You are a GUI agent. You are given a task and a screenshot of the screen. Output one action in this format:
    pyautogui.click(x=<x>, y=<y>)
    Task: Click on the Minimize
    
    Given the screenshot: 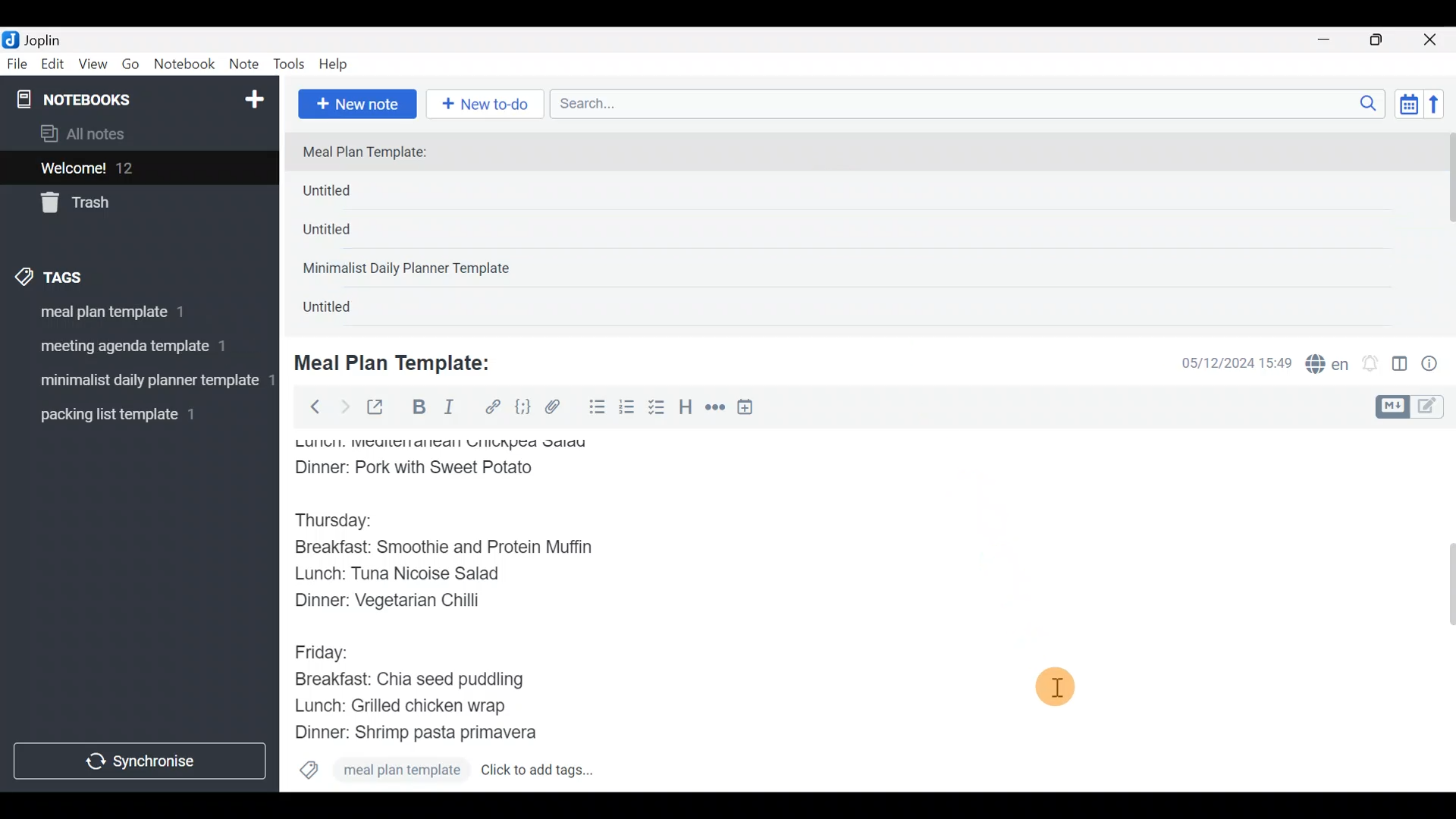 What is the action you would take?
    pyautogui.click(x=1332, y=38)
    